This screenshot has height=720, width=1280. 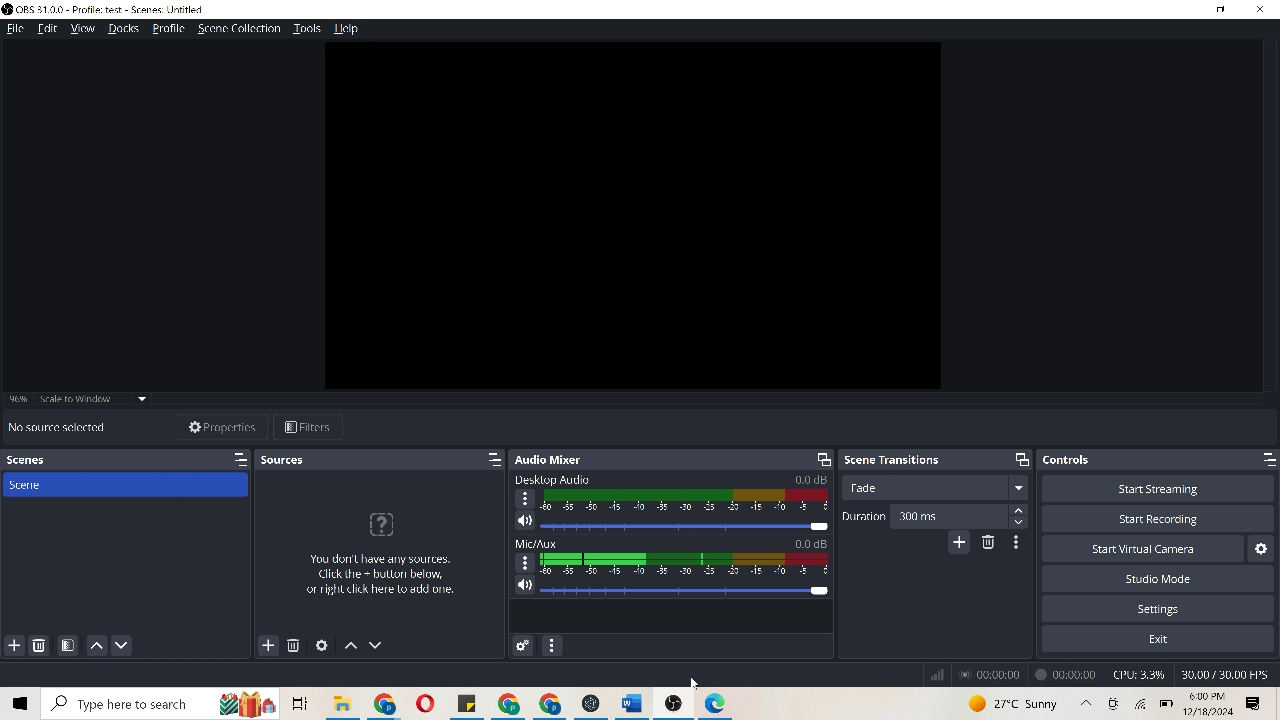 I want to click on scenes, so click(x=47, y=460).